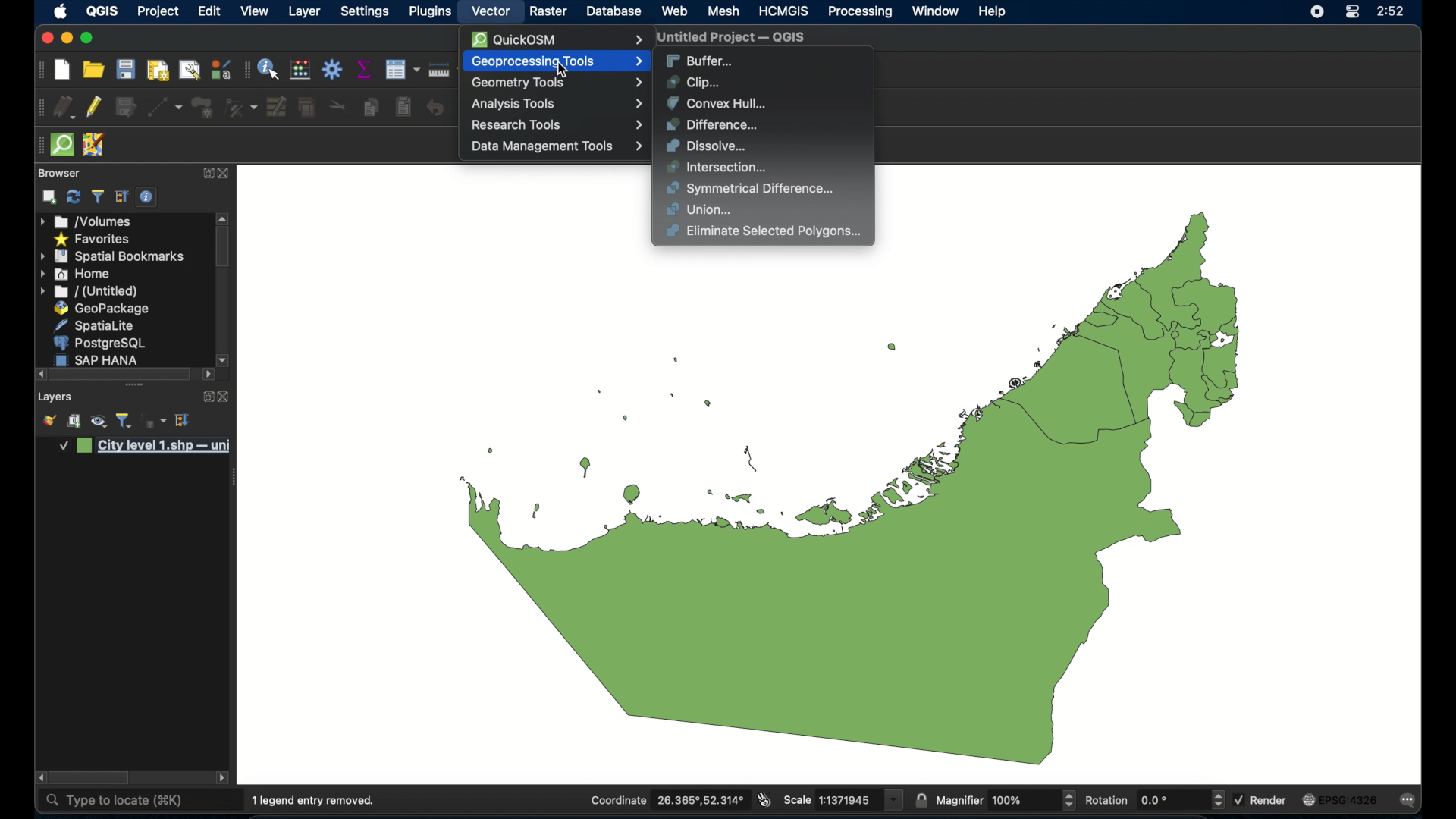 The height and width of the screenshot is (819, 1456). I want to click on filter legend, so click(97, 197).